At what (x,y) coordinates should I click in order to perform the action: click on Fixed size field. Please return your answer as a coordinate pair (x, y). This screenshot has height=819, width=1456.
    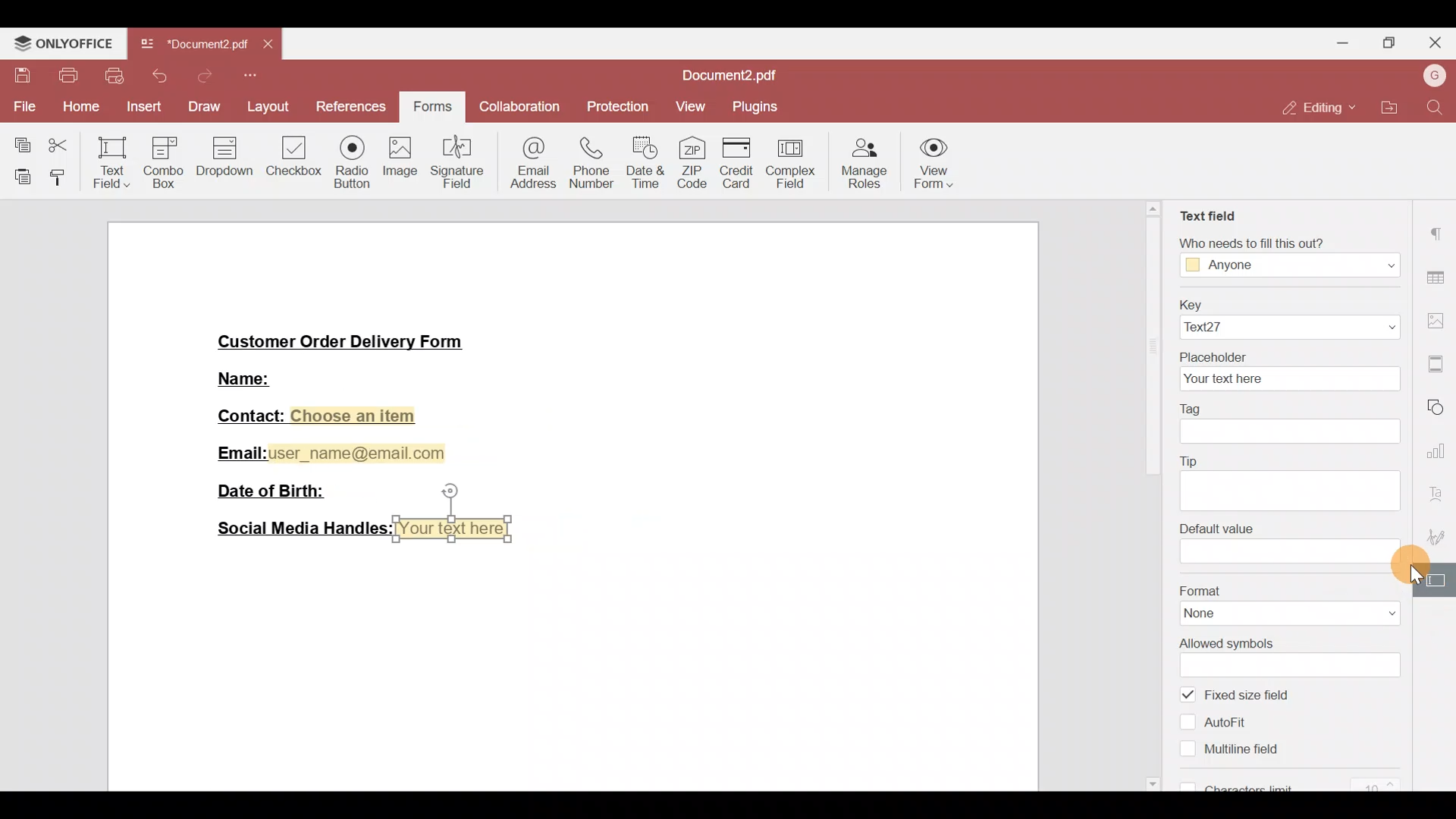
    Looking at the image, I should click on (1253, 695).